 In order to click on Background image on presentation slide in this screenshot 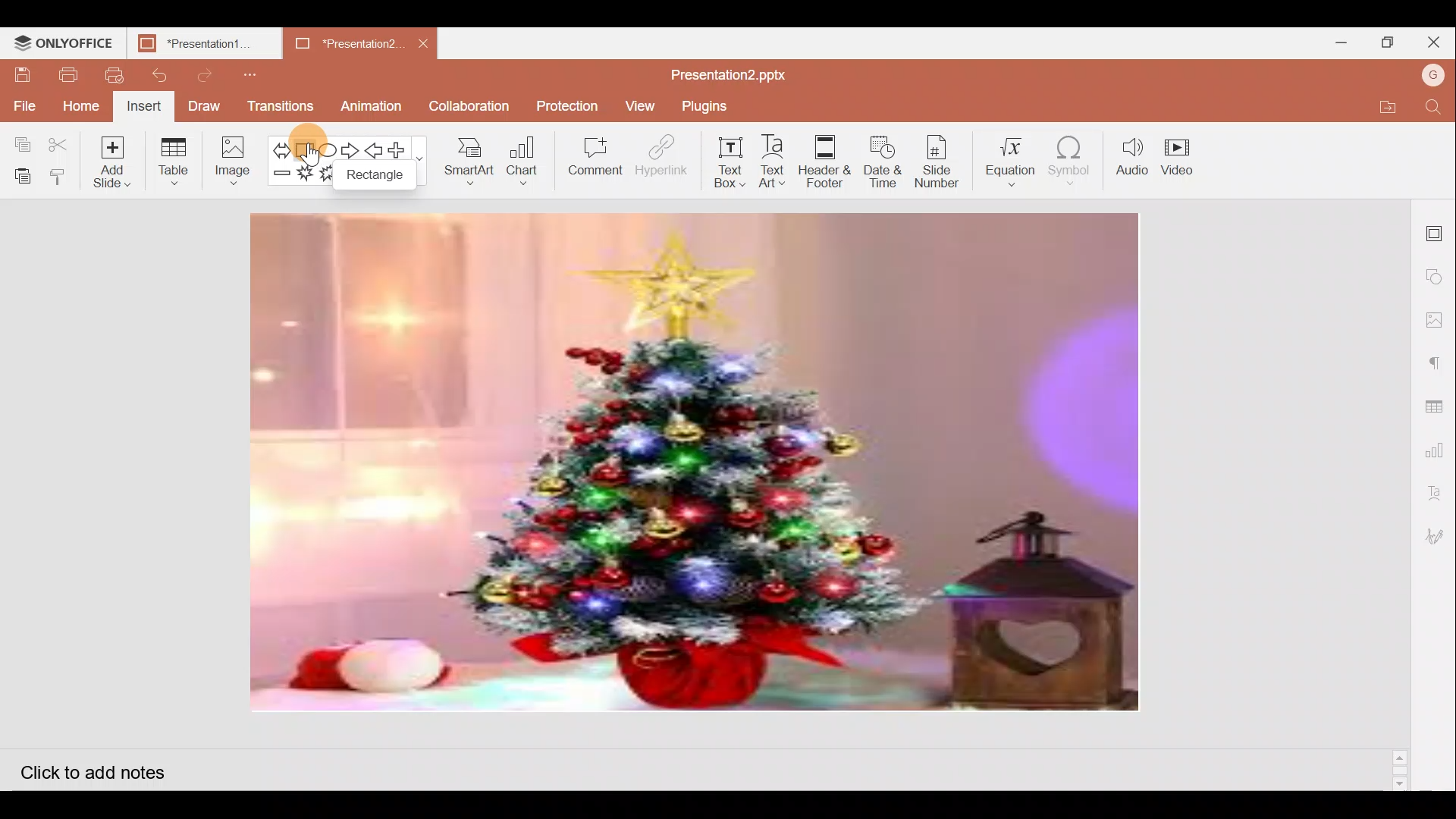, I will do `click(695, 464)`.